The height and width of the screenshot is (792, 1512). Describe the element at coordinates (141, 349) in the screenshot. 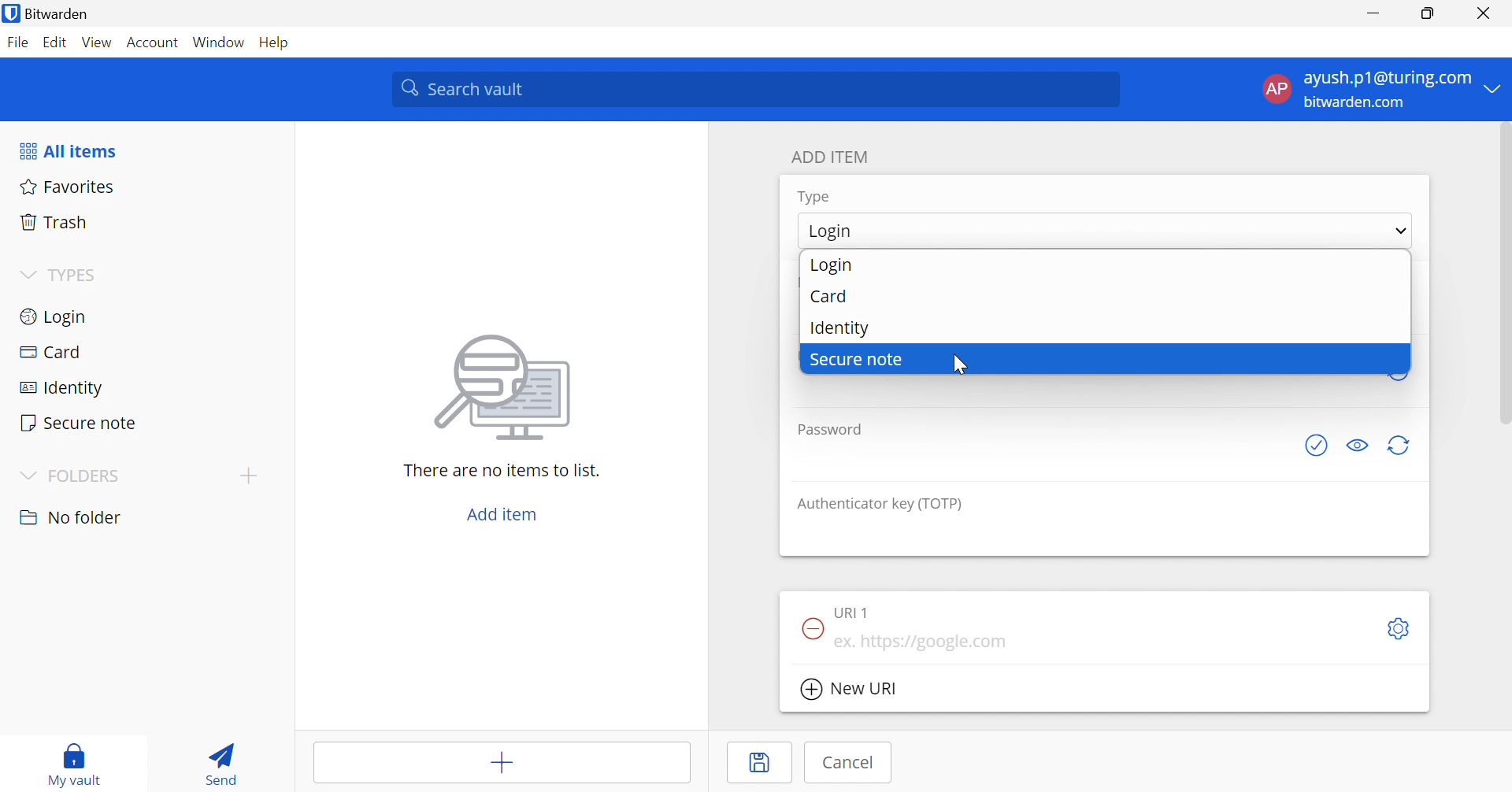

I see `Card` at that location.